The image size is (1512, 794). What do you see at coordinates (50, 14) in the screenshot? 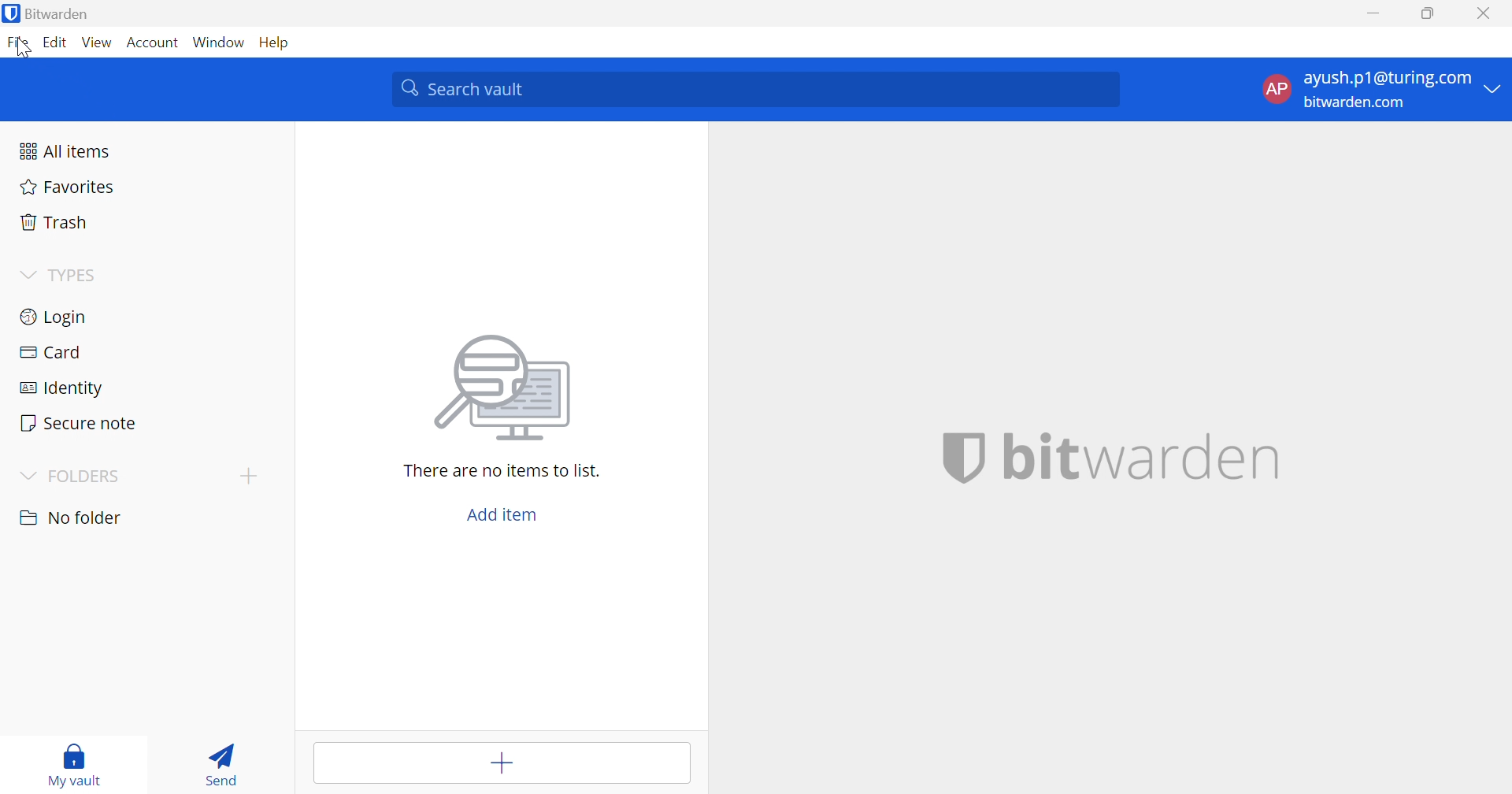
I see `Bitwarden` at bounding box center [50, 14].